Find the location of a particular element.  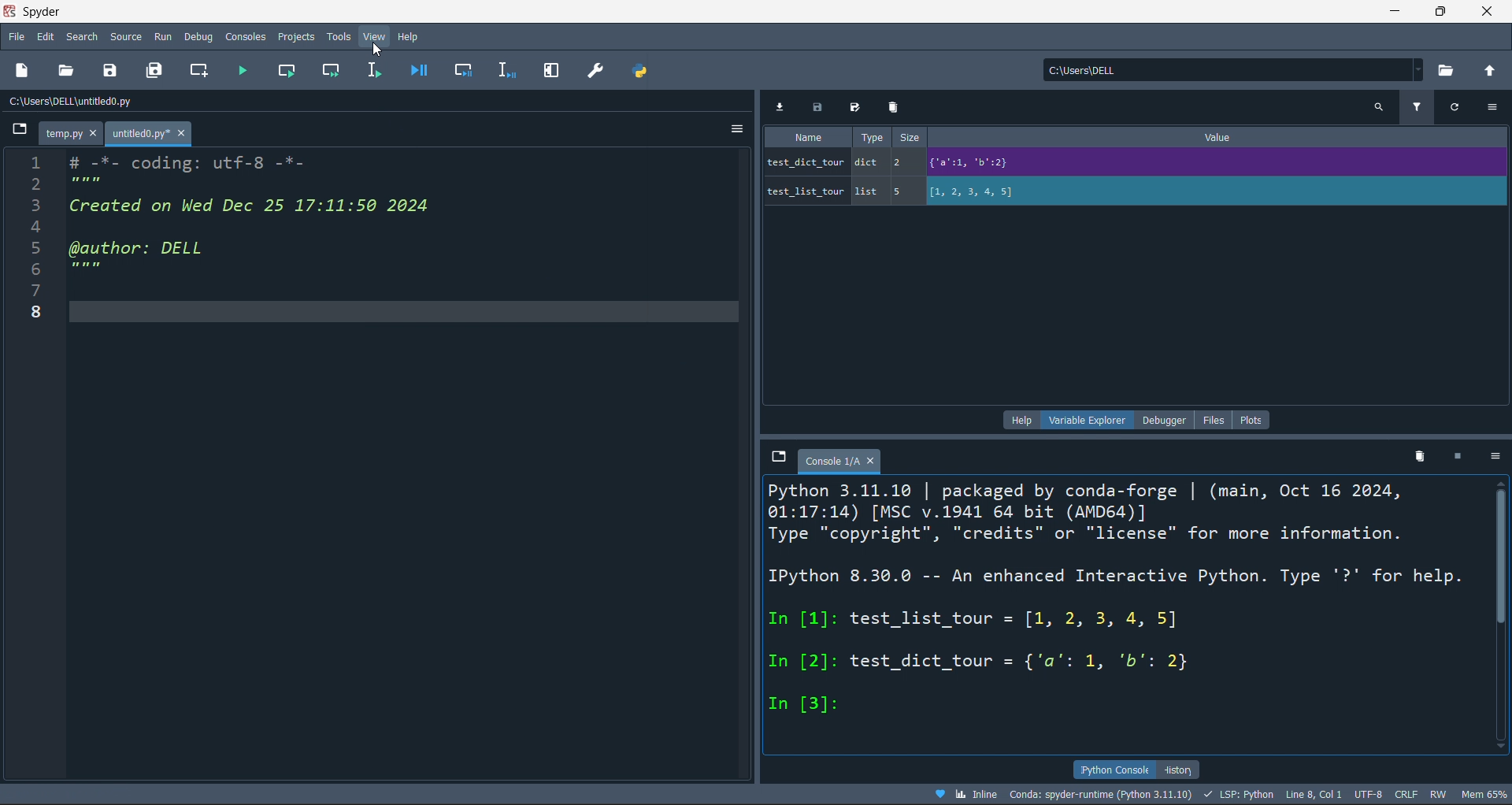

more options is located at coordinates (1498, 457).